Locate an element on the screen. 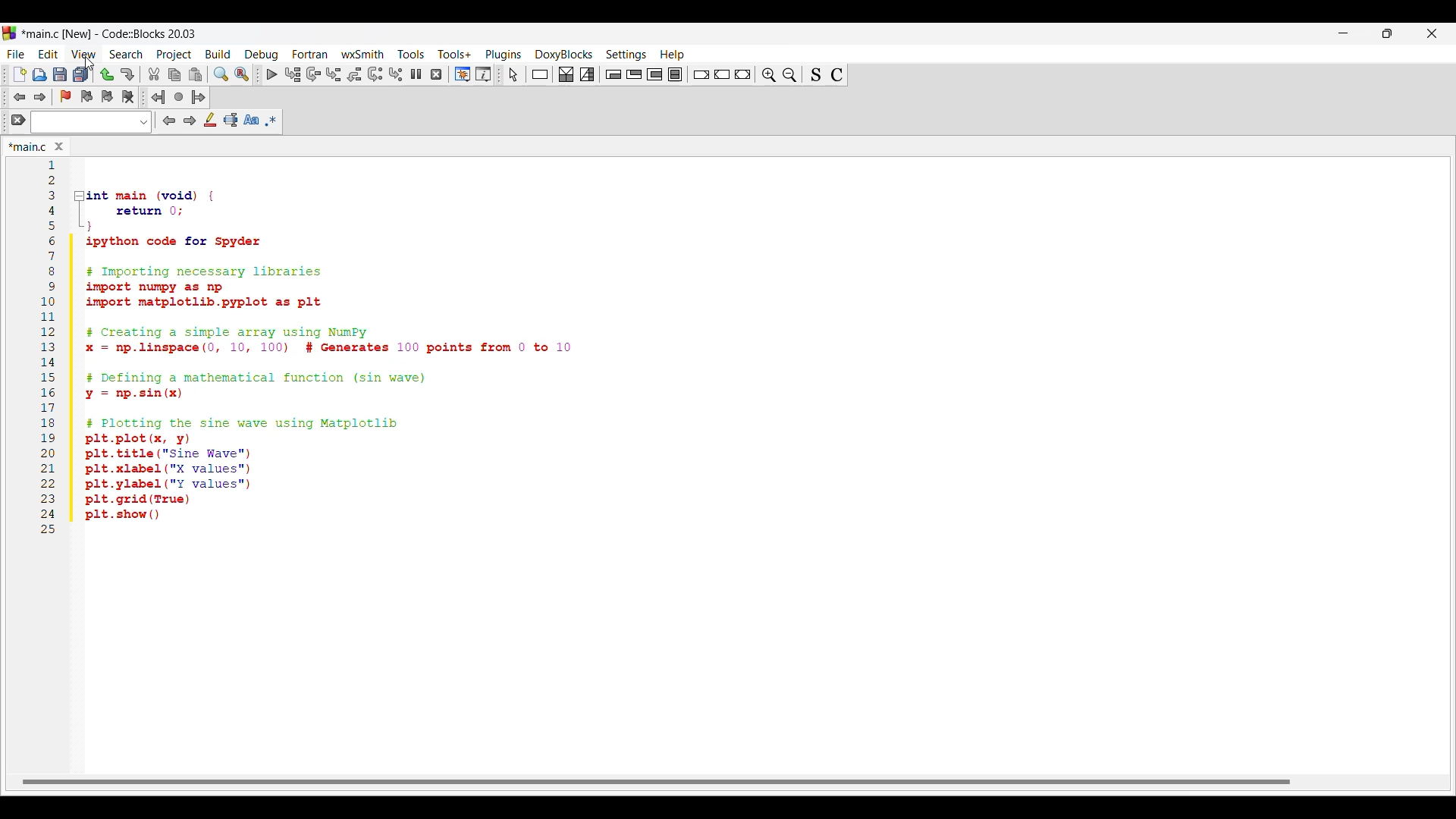 This screenshot has height=819, width=1456. Instruction is located at coordinates (540, 74).